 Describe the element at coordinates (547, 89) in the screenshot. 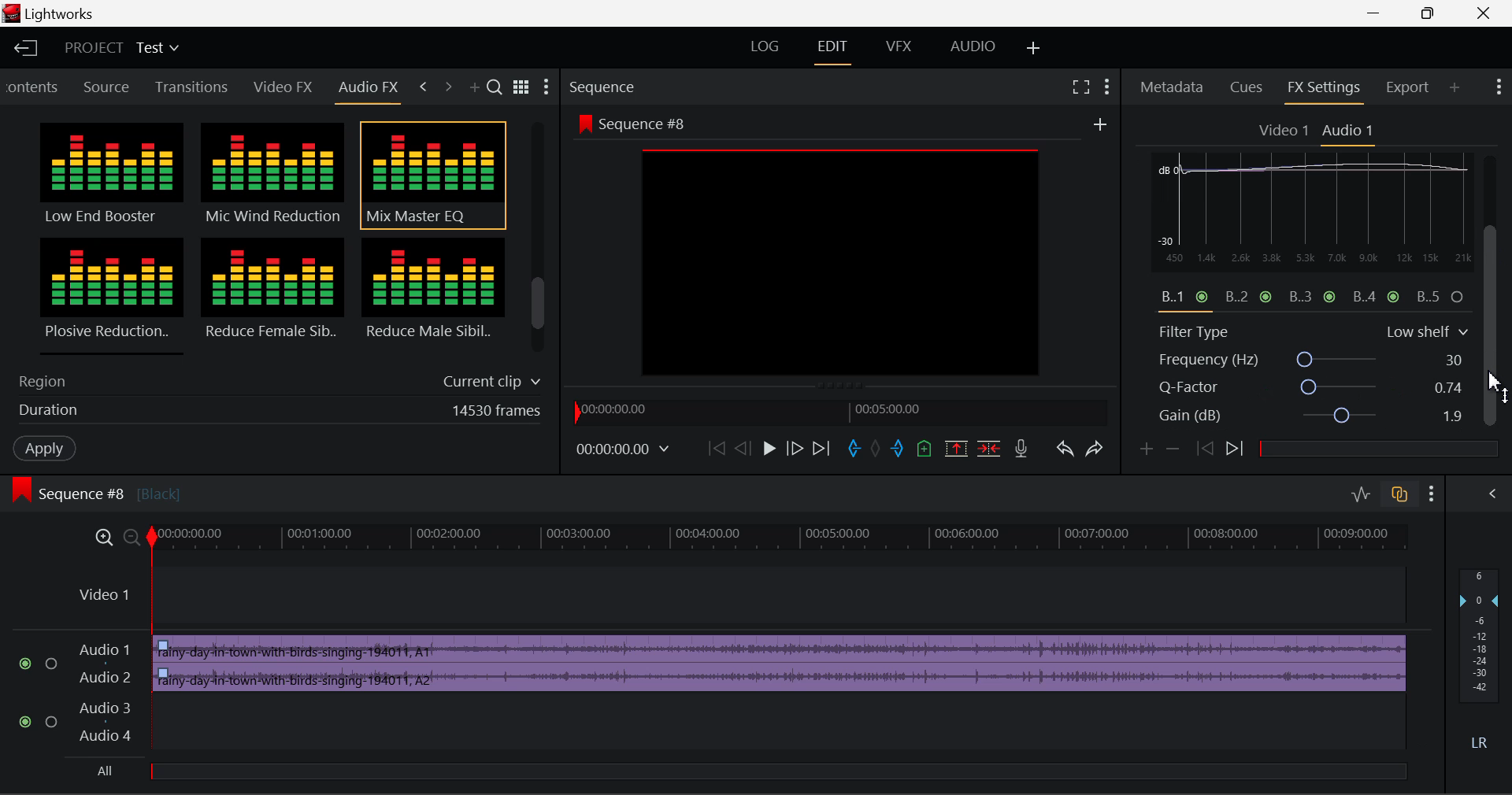

I see `Settings` at that location.